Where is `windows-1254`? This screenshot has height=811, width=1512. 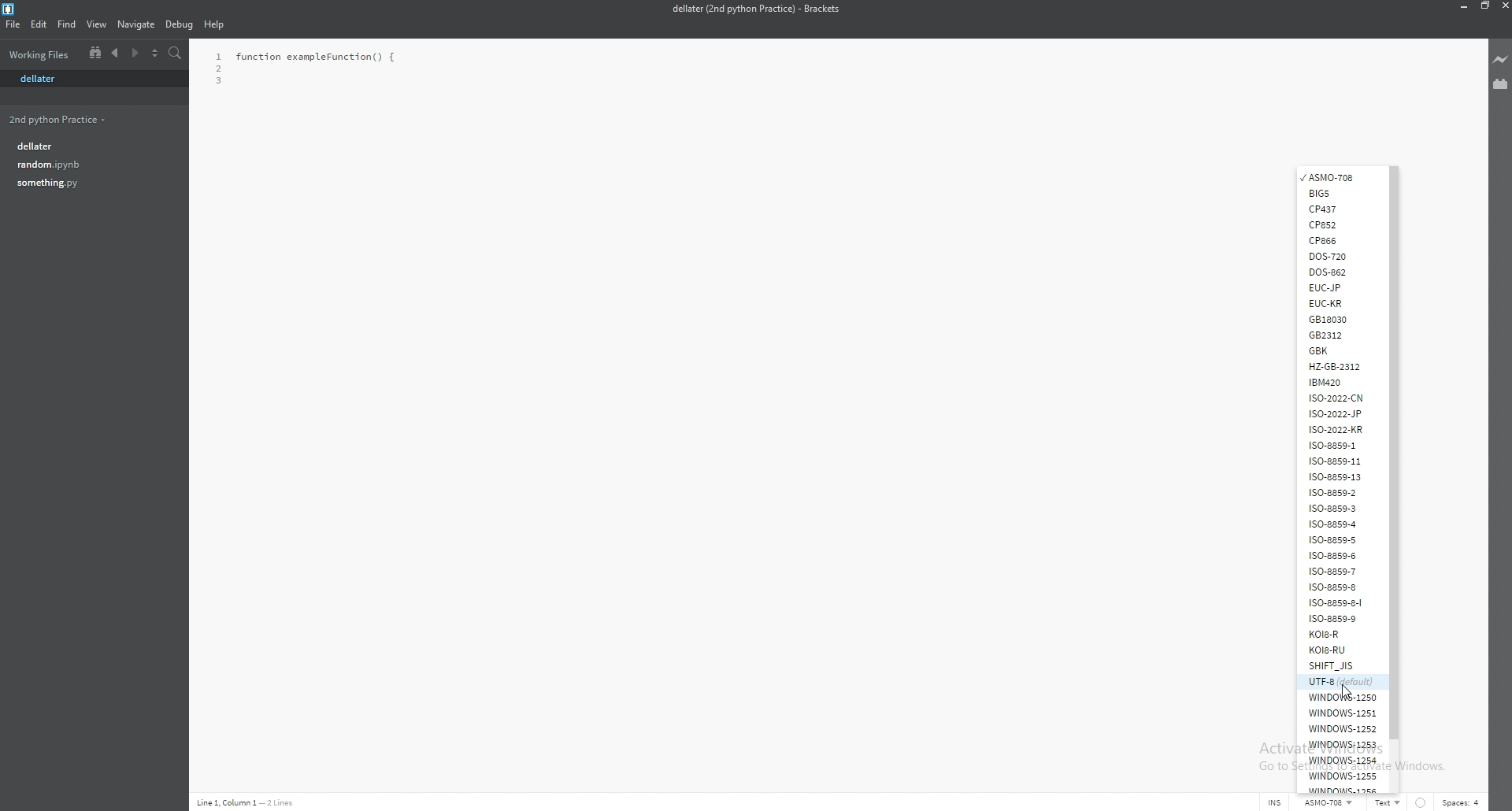
windows-1254 is located at coordinates (1343, 761).